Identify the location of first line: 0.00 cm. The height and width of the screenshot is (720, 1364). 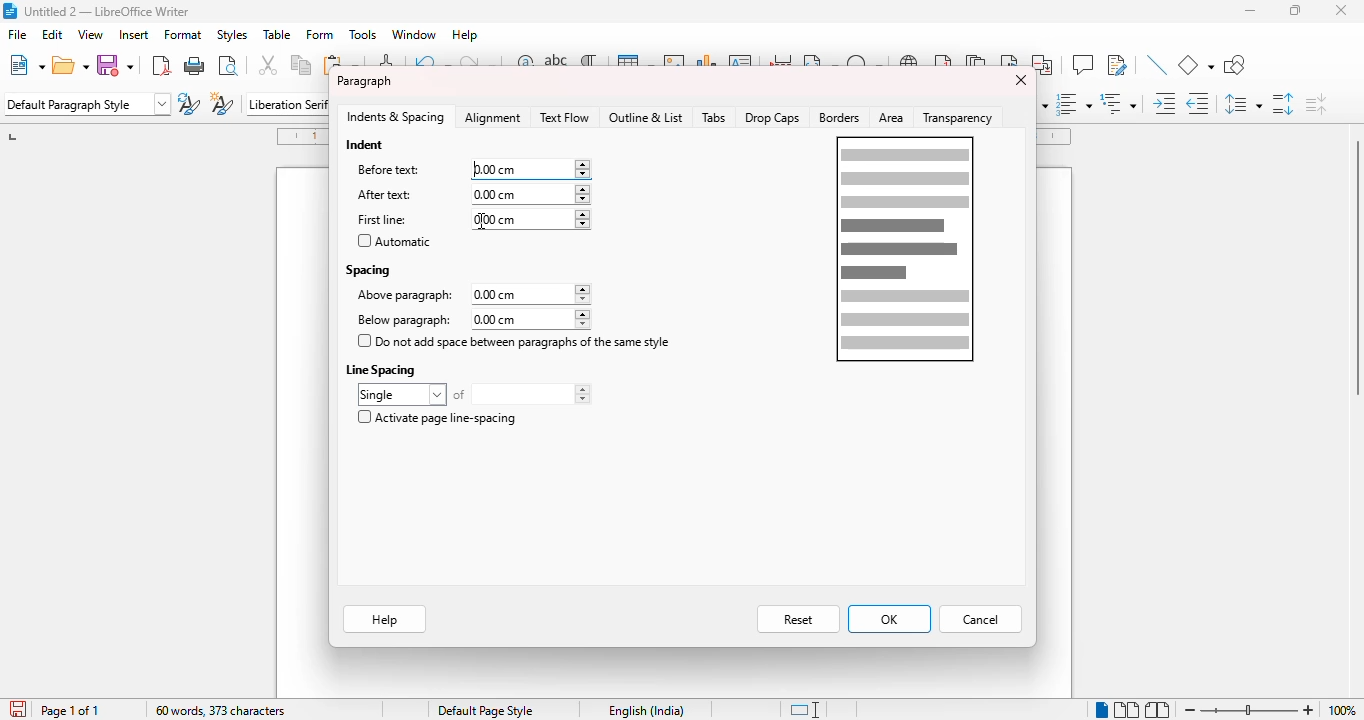
(472, 220).